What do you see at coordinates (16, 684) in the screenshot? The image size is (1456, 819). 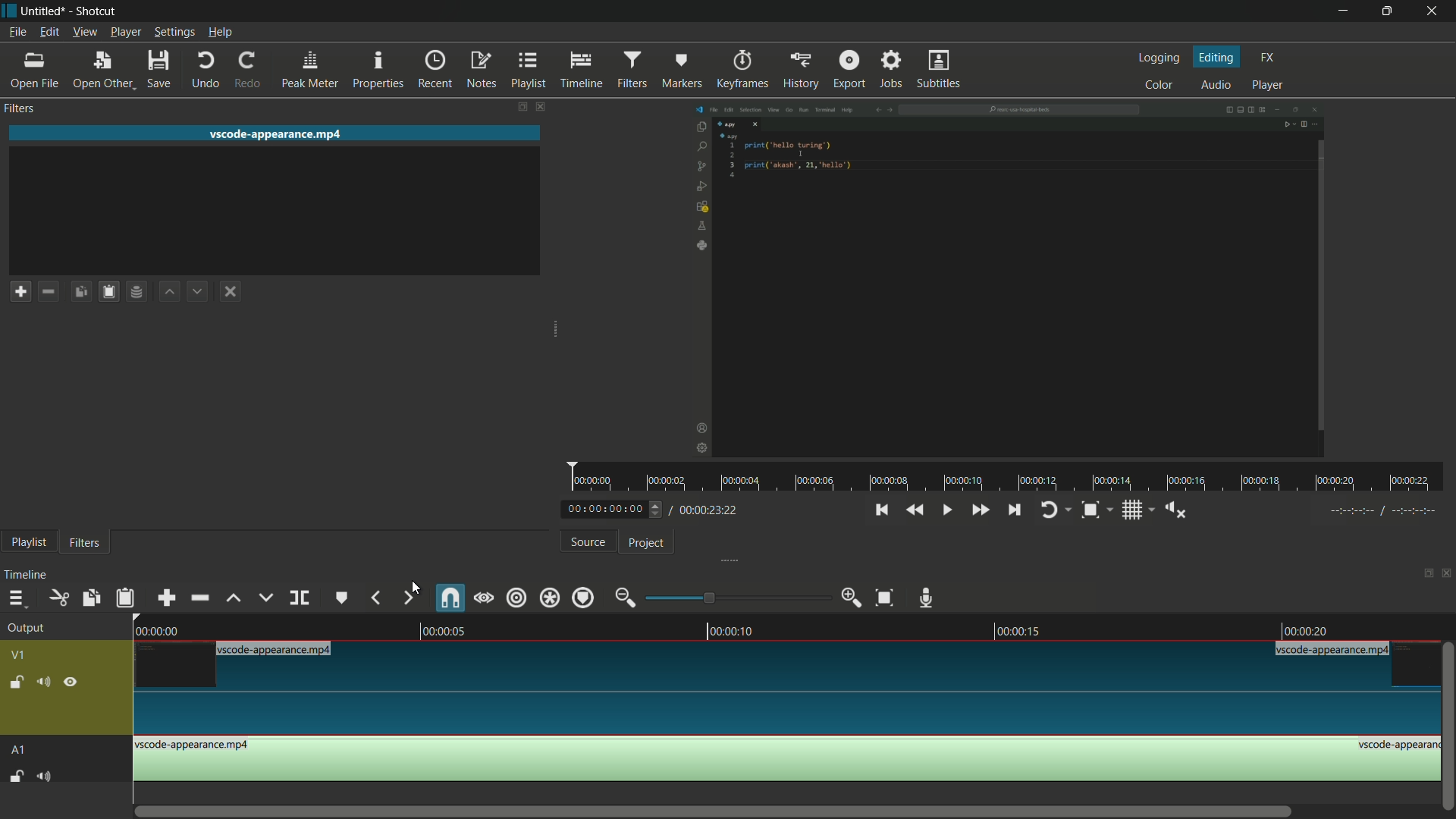 I see `lock` at bounding box center [16, 684].